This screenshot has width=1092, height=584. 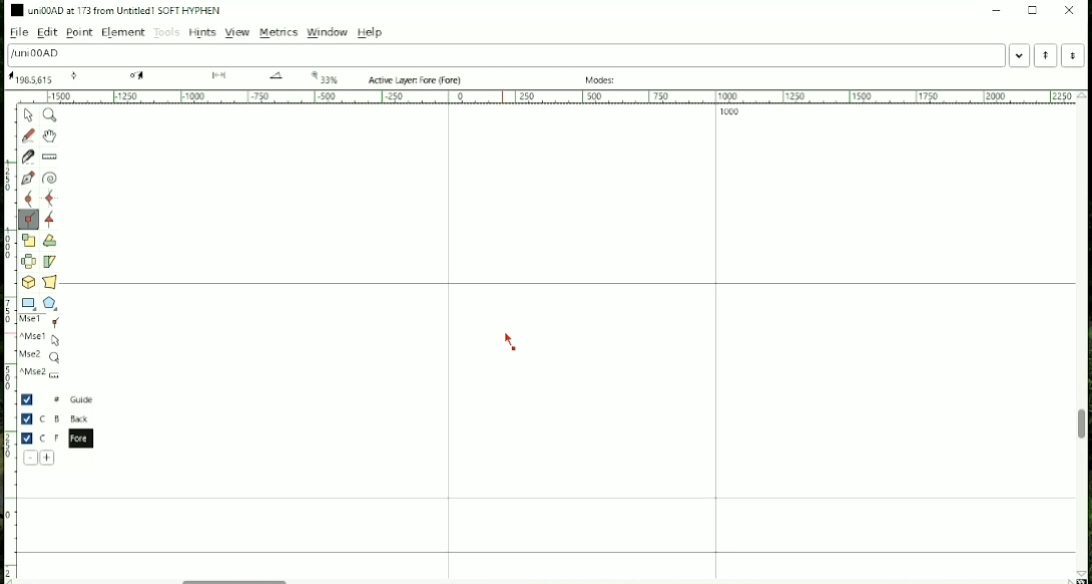 I want to click on Add a point, then drag out its control points, so click(x=29, y=178).